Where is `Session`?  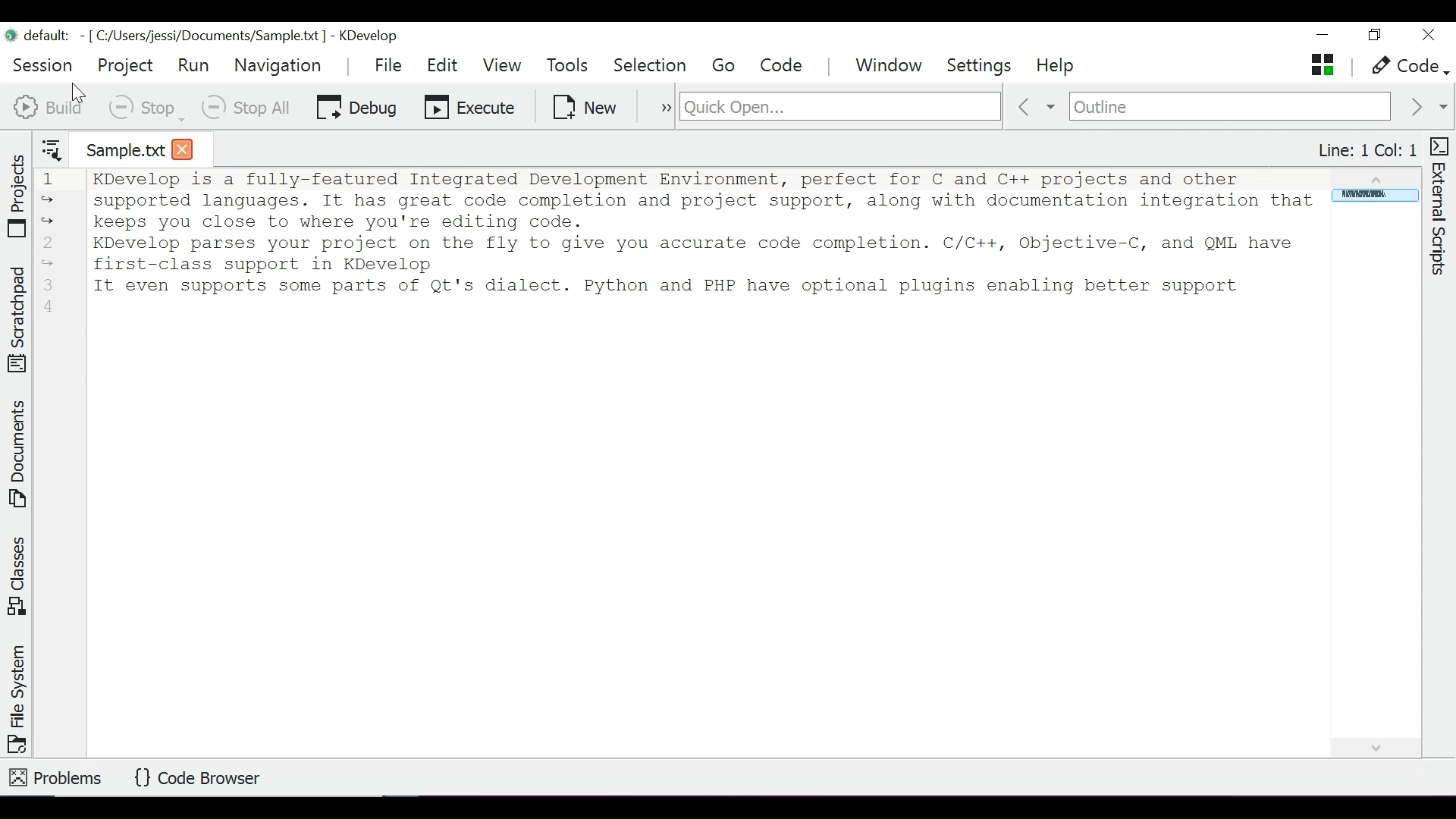 Session is located at coordinates (42, 64).